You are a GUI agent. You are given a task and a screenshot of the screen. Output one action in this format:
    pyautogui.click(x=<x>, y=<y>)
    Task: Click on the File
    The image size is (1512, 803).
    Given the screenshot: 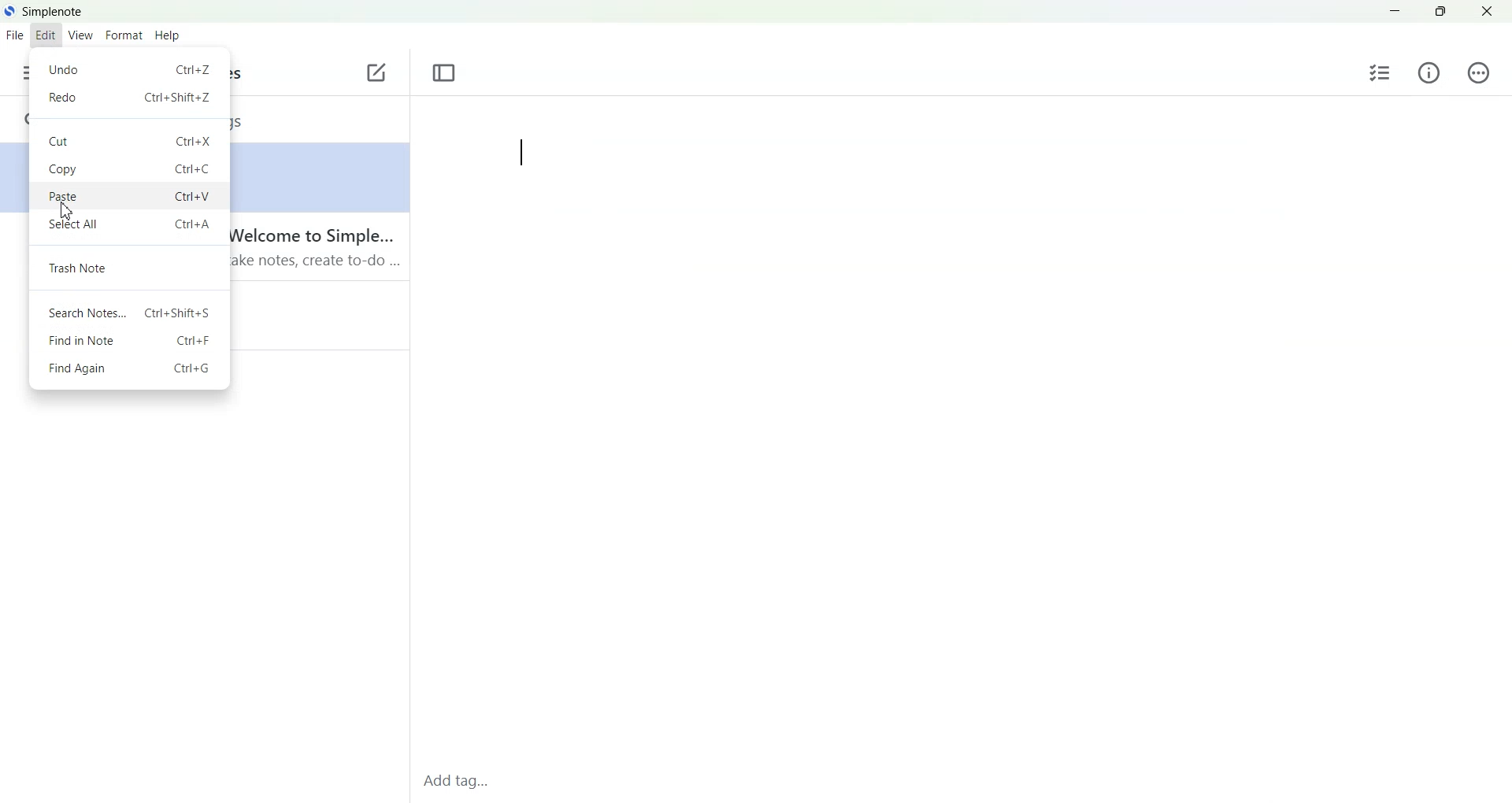 What is the action you would take?
    pyautogui.click(x=14, y=35)
    